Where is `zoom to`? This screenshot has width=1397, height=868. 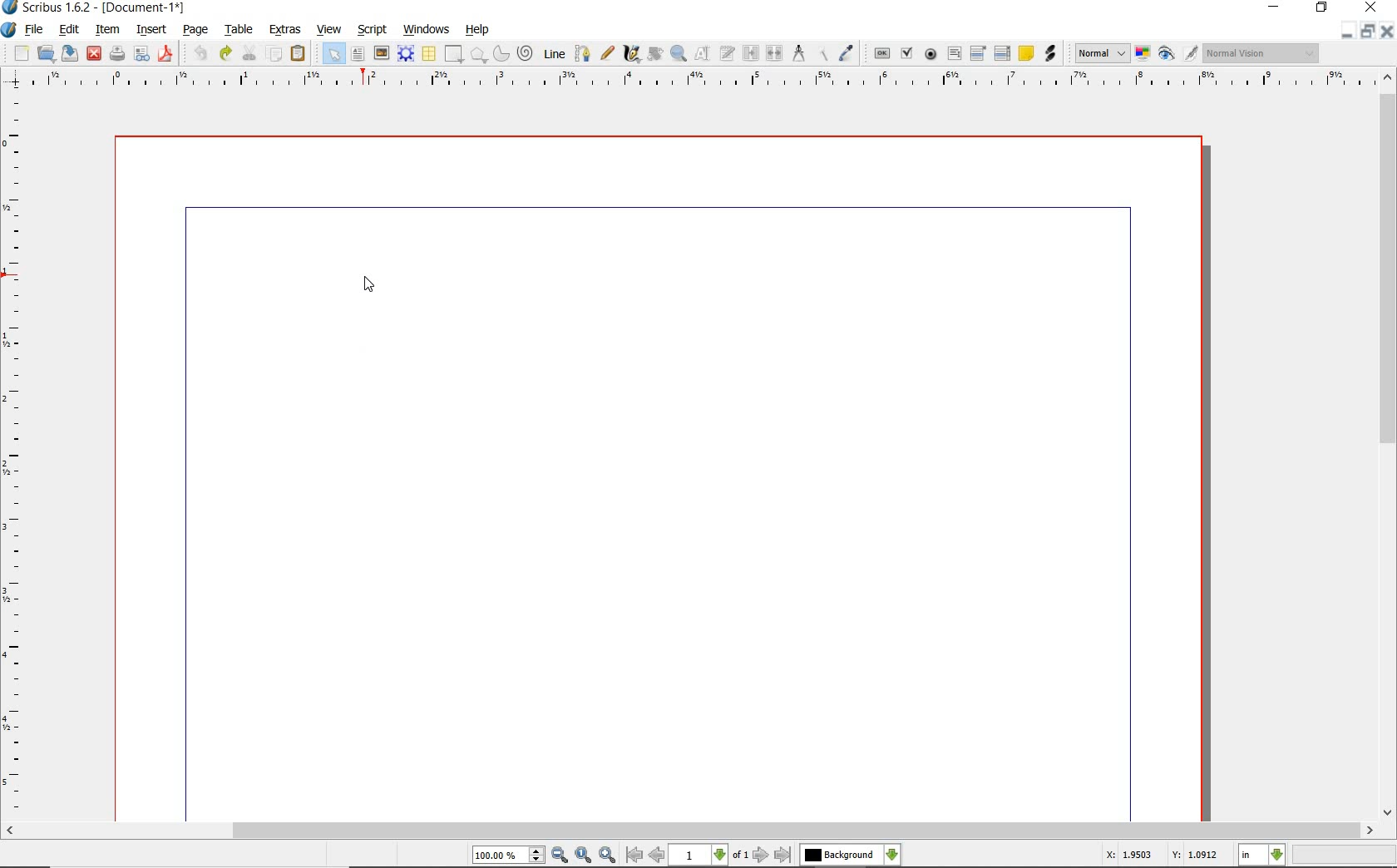
zoom to is located at coordinates (583, 856).